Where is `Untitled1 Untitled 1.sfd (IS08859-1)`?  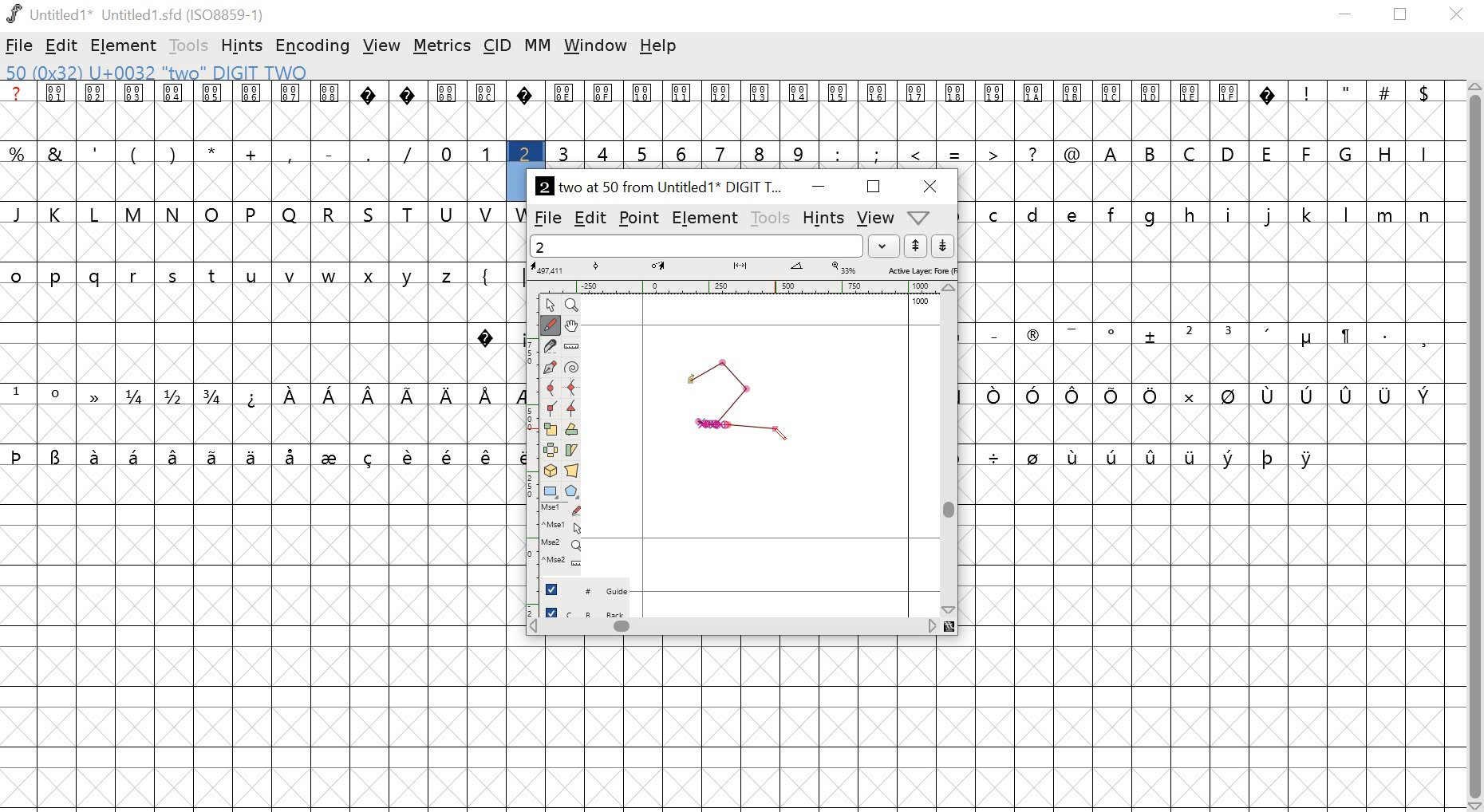 Untitled1 Untitled 1.sfd (IS08859-1) is located at coordinates (138, 15).